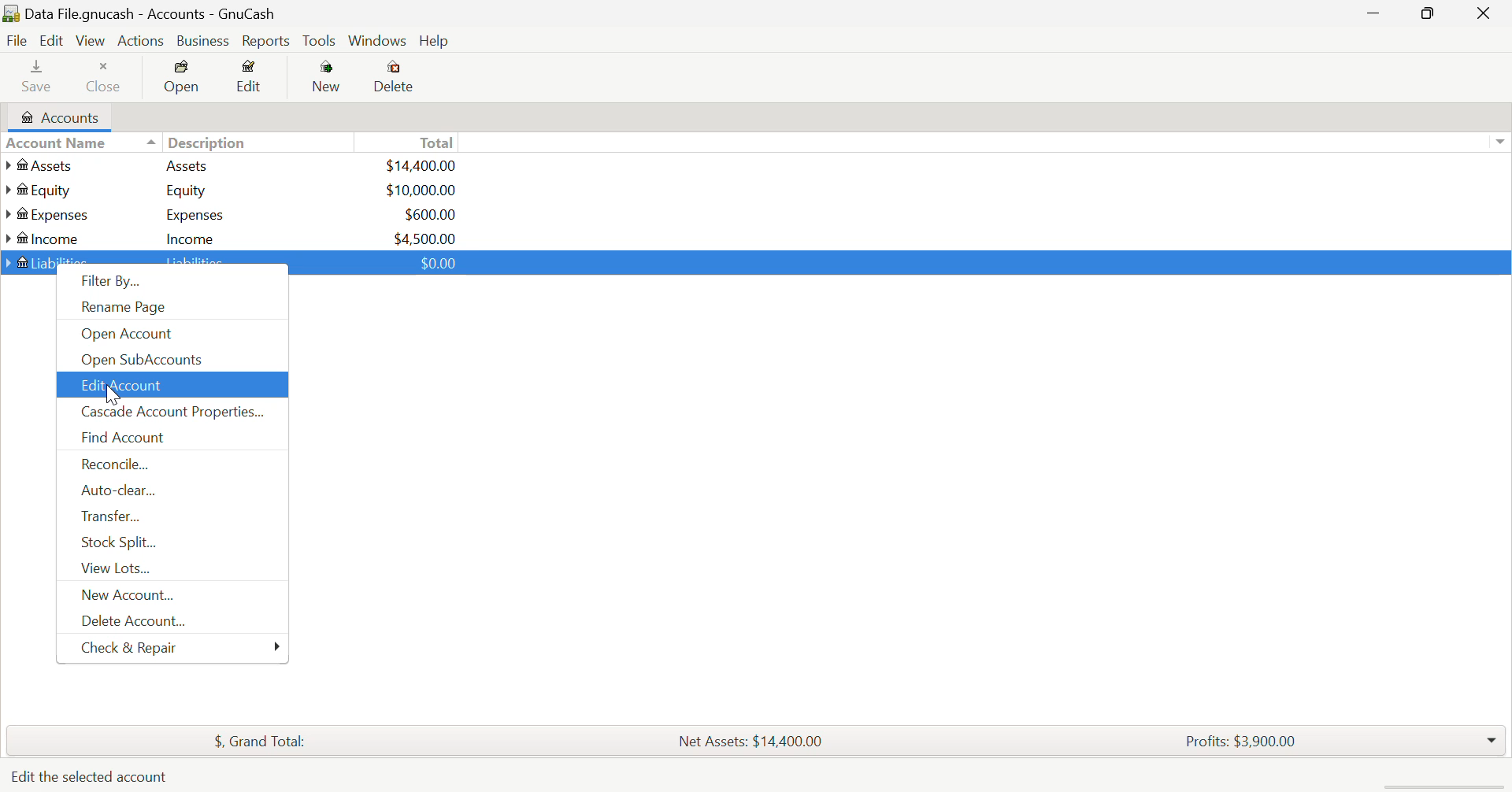 Image resolution: width=1512 pixels, height=792 pixels. Describe the element at coordinates (171, 572) in the screenshot. I see `View Lots` at that location.